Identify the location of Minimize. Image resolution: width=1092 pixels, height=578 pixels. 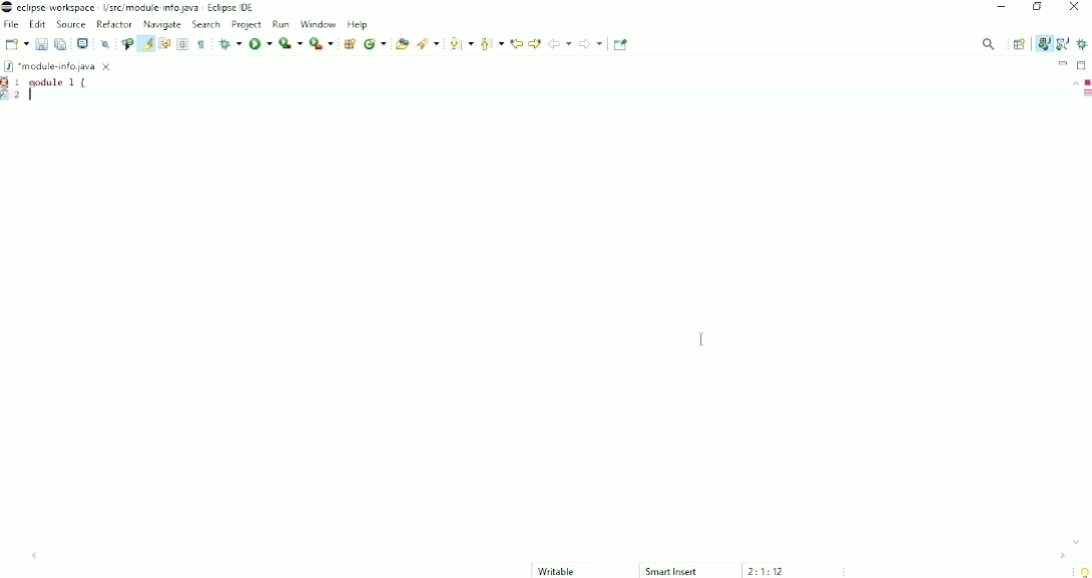
(1063, 63).